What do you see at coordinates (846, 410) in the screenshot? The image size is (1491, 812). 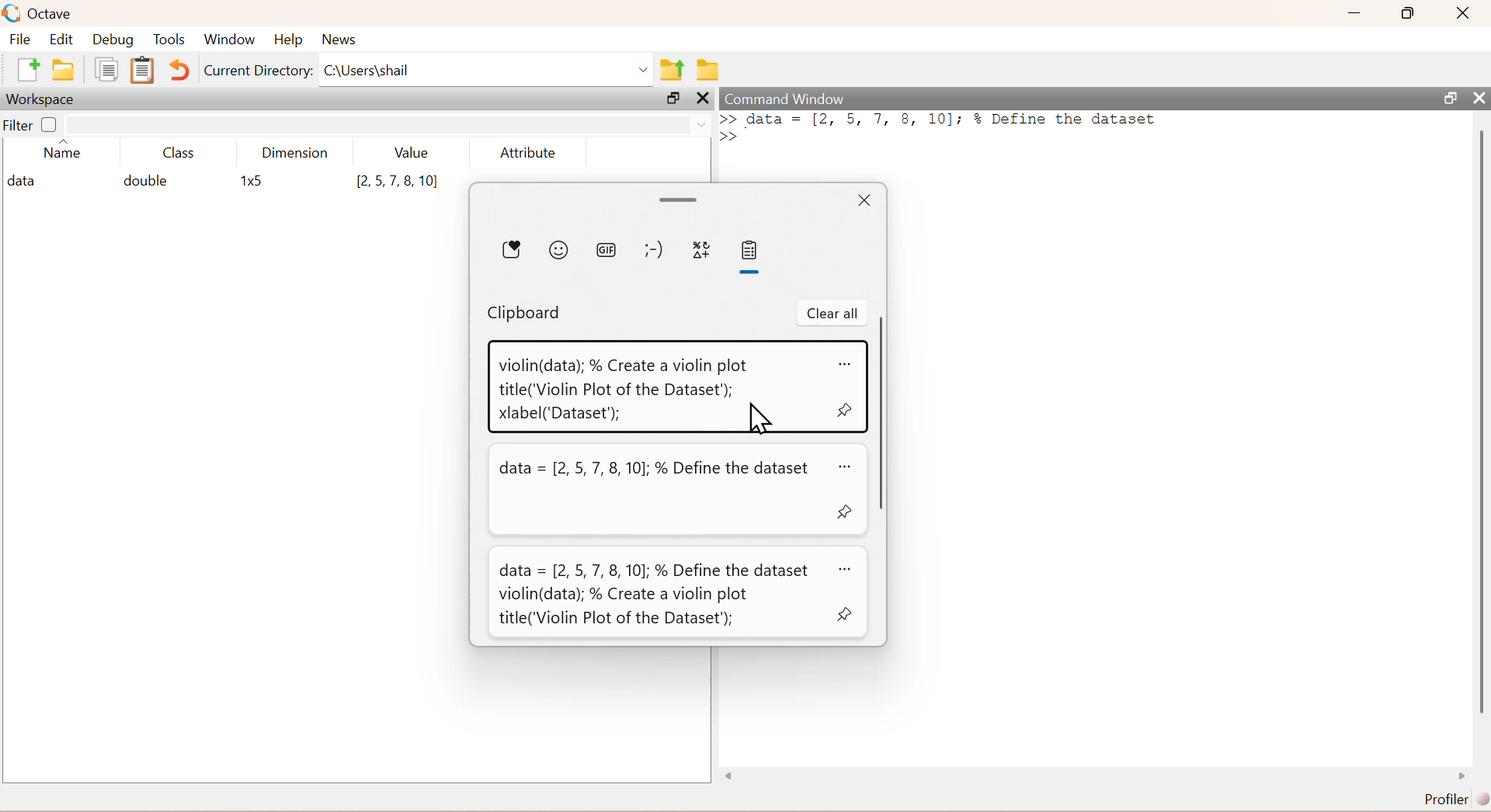 I see `pin` at bounding box center [846, 410].